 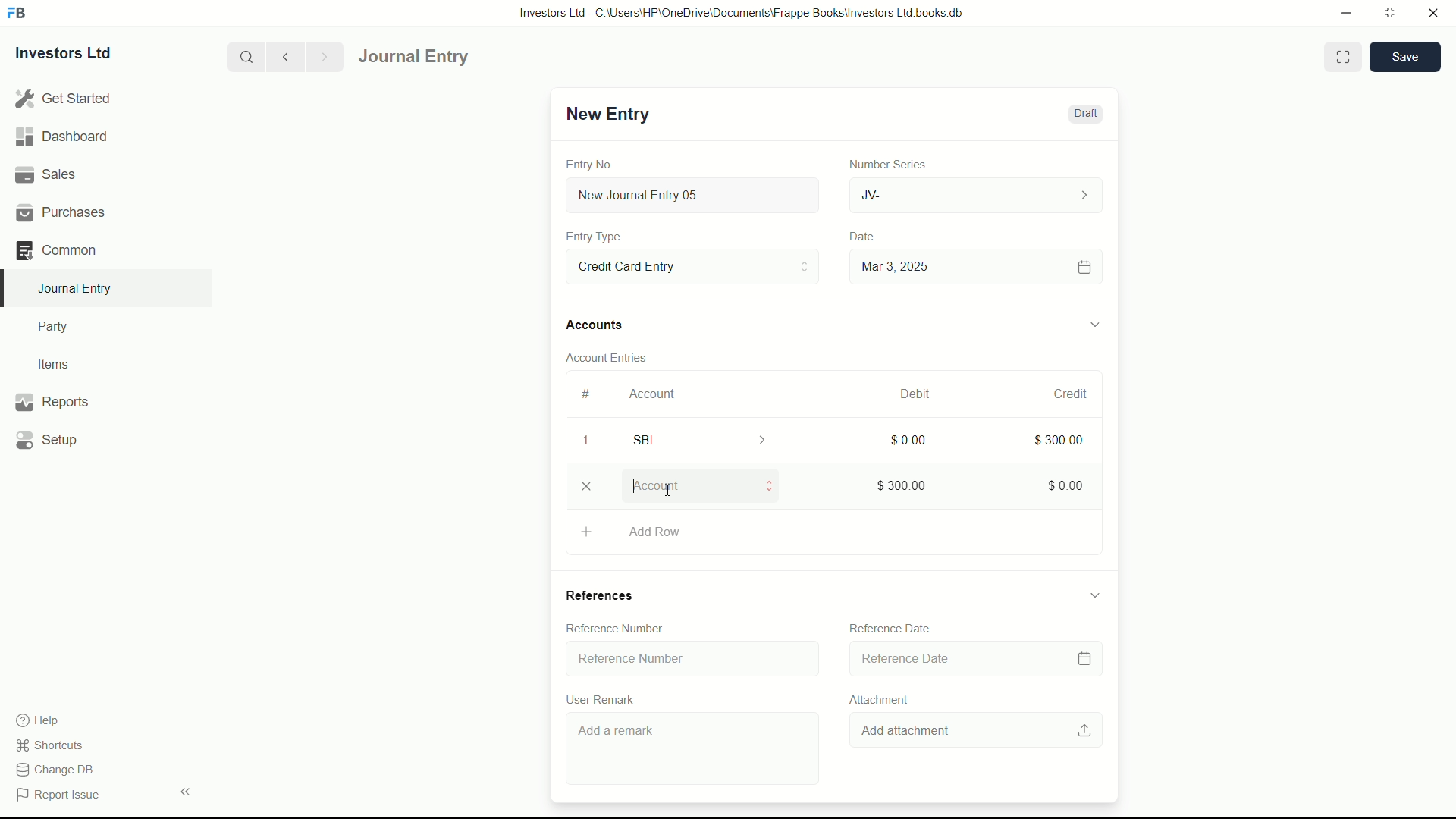 What do you see at coordinates (833, 534) in the screenshot?
I see `Add Row` at bounding box center [833, 534].